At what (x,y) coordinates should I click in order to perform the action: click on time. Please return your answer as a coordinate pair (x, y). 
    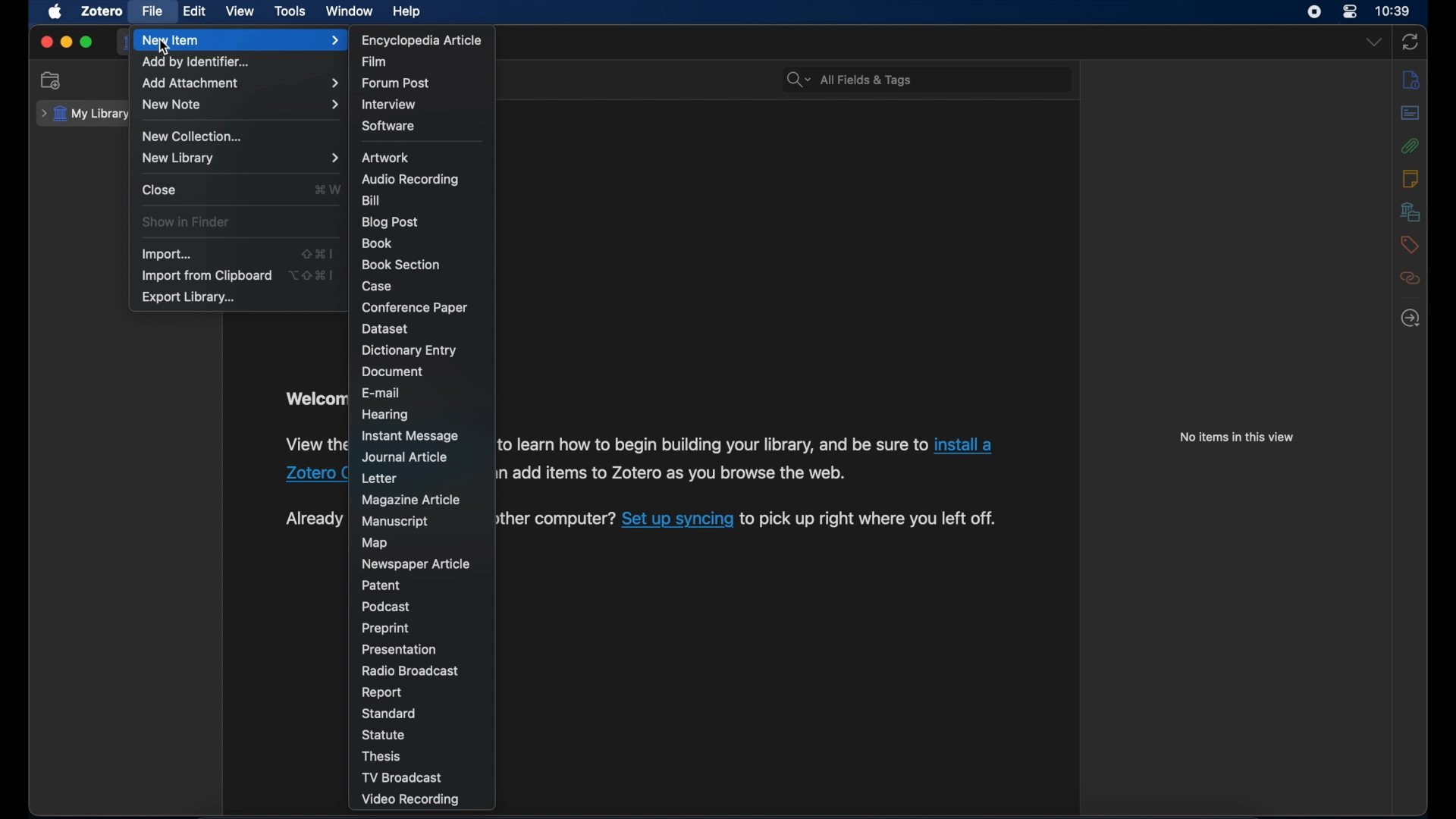
    Looking at the image, I should click on (1393, 11).